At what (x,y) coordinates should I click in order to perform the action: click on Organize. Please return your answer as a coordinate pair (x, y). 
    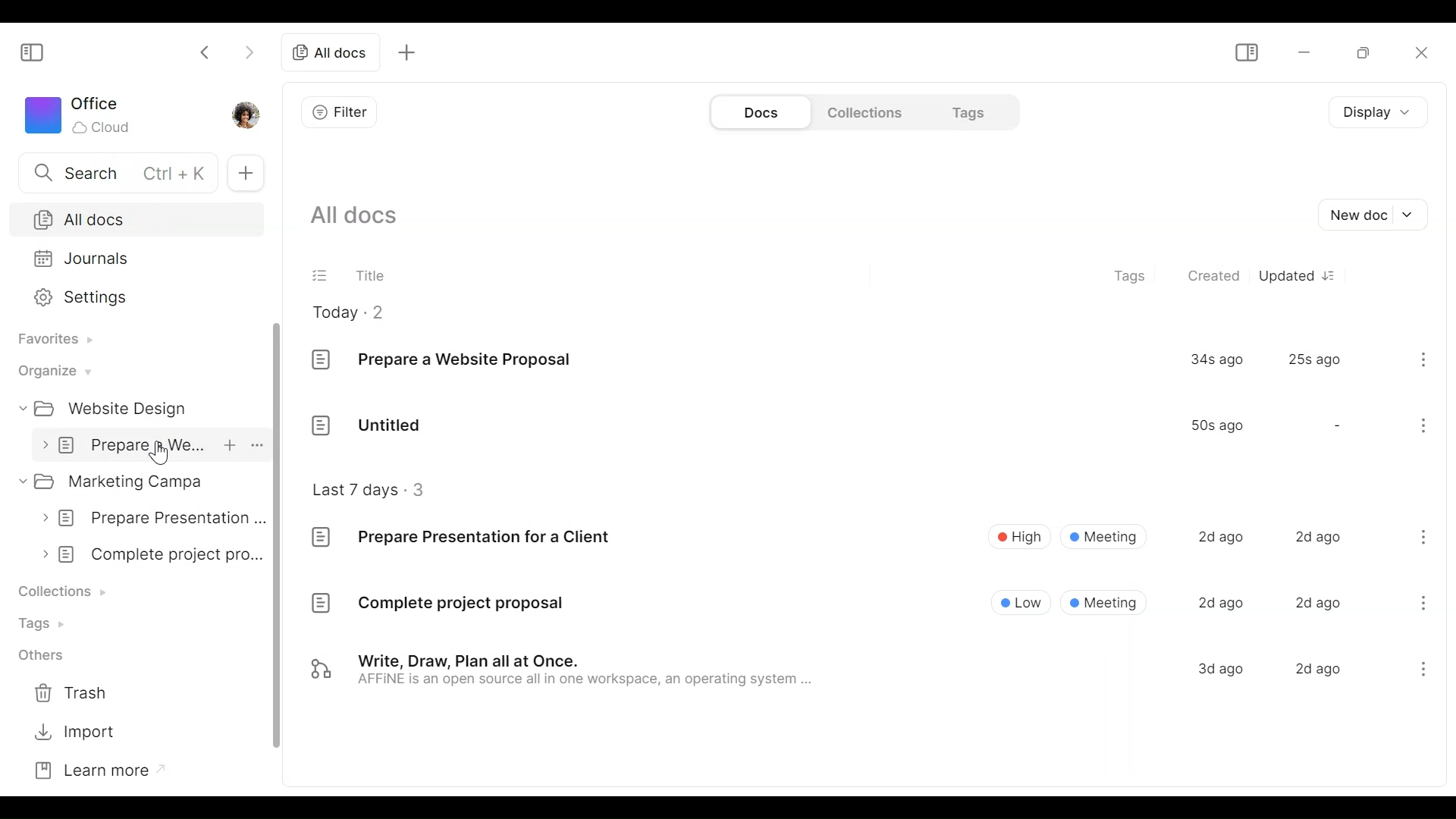
    Looking at the image, I should click on (51, 372).